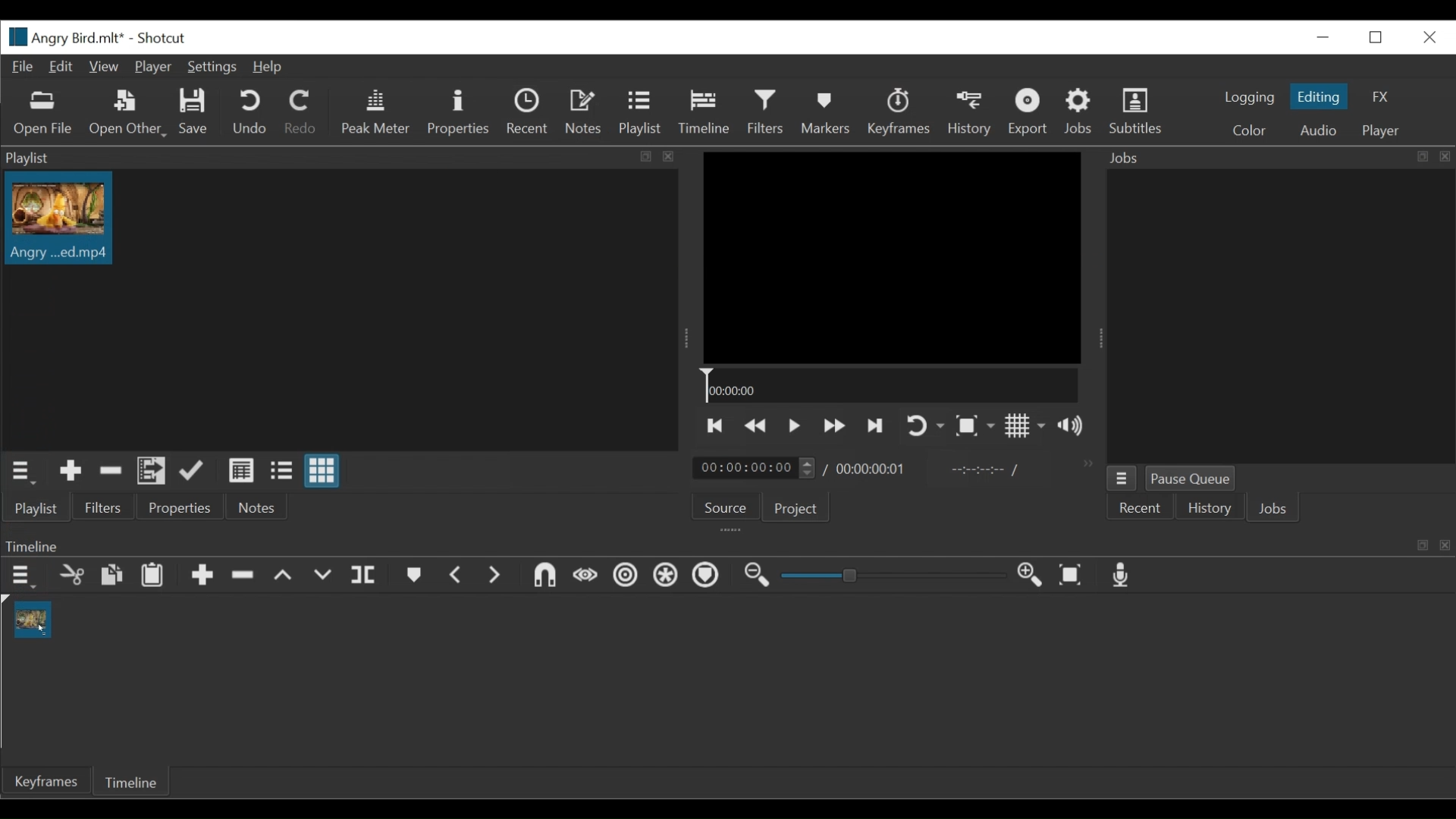 Image resolution: width=1456 pixels, height=819 pixels. What do you see at coordinates (977, 428) in the screenshot?
I see `Toggle zoom` at bounding box center [977, 428].